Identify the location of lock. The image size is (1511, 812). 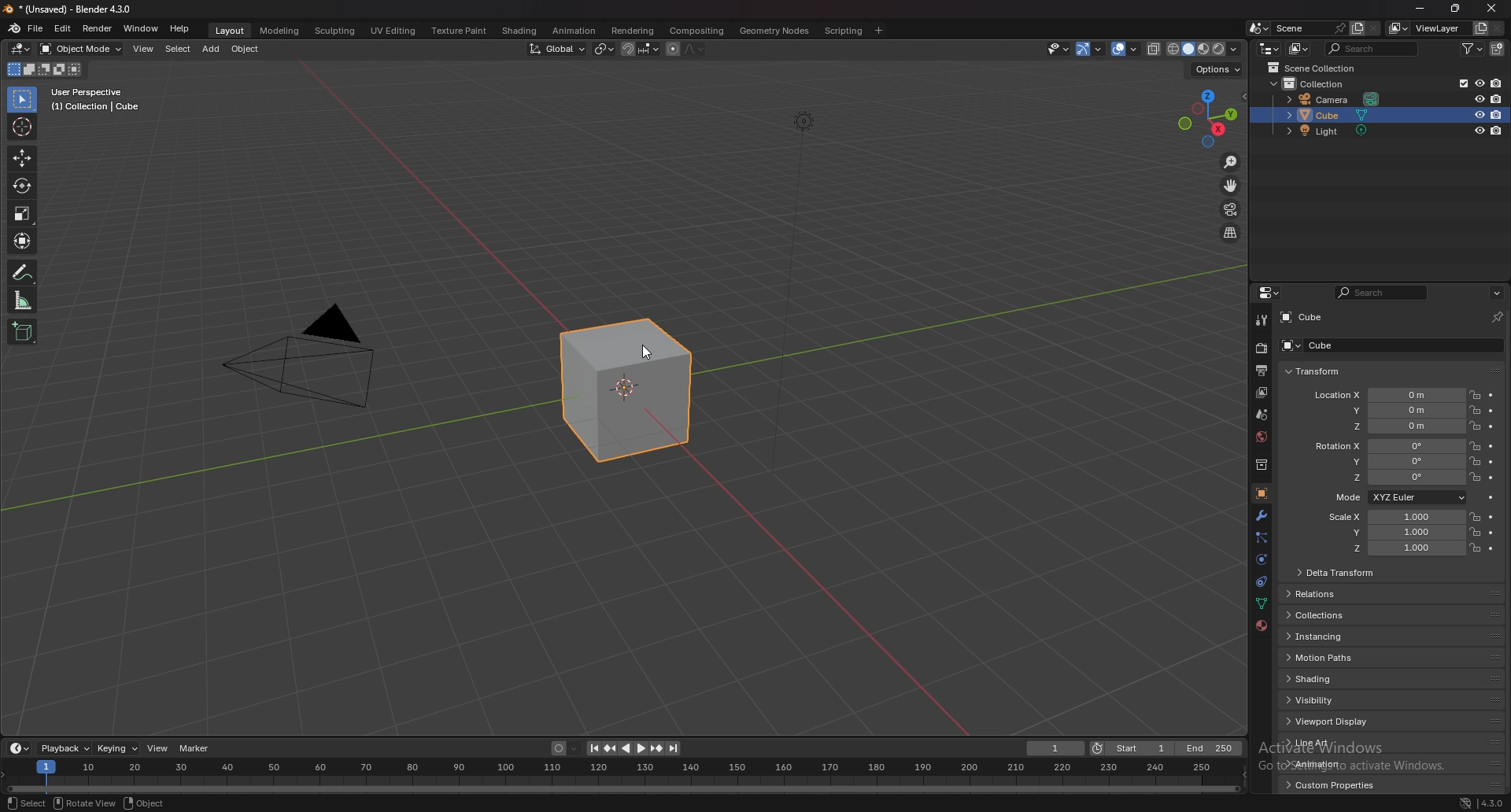
(1475, 461).